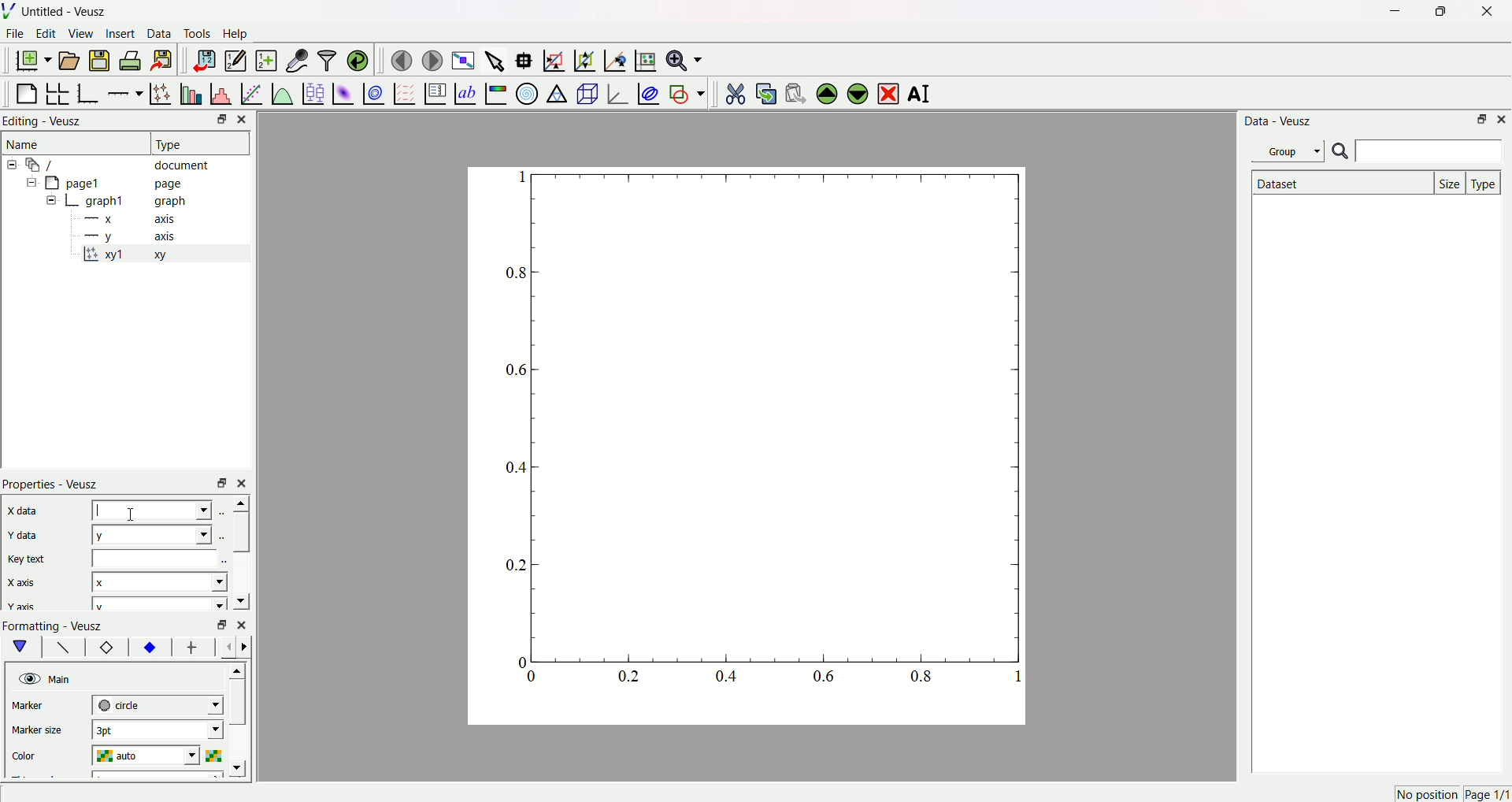 This screenshot has height=802, width=1512. I want to click on plot covariance ellipses, so click(647, 91).